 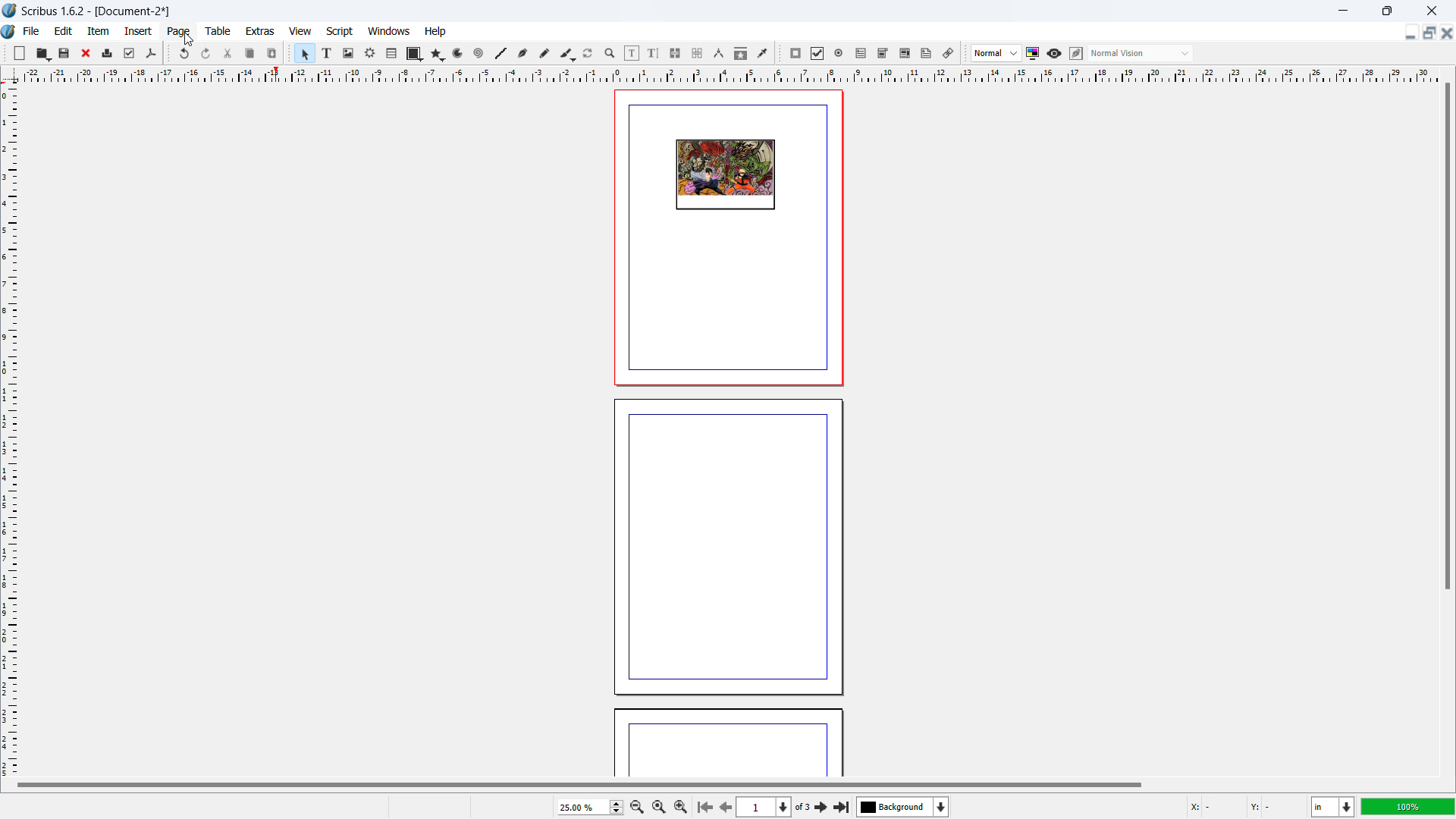 I want to click on link annotation, so click(x=949, y=53).